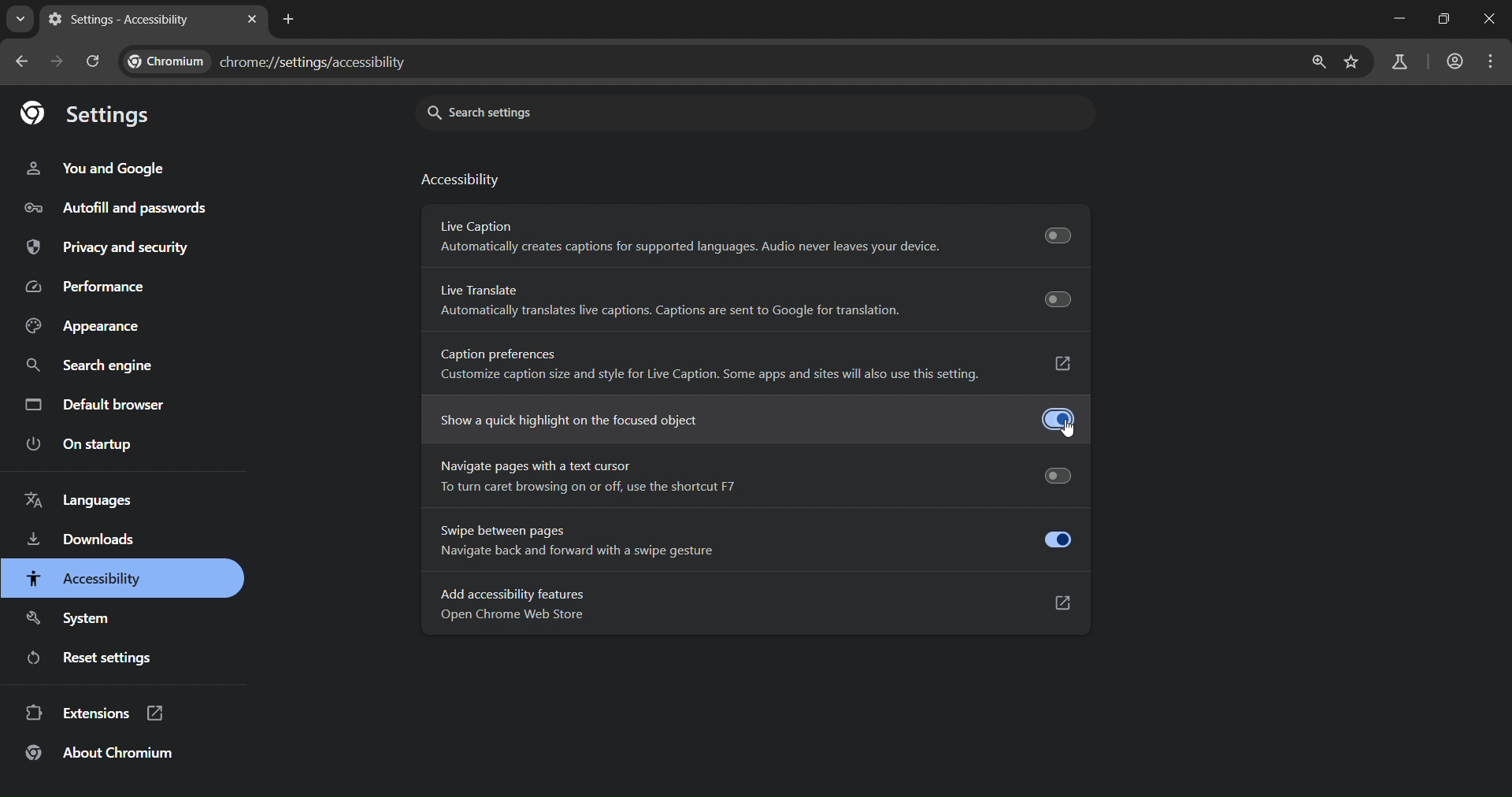 Image resolution: width=1512 pixels, height=797 pixels. Describe the element at coordinates (20, 61) in the screenshot. I see `go back one page` at that location.